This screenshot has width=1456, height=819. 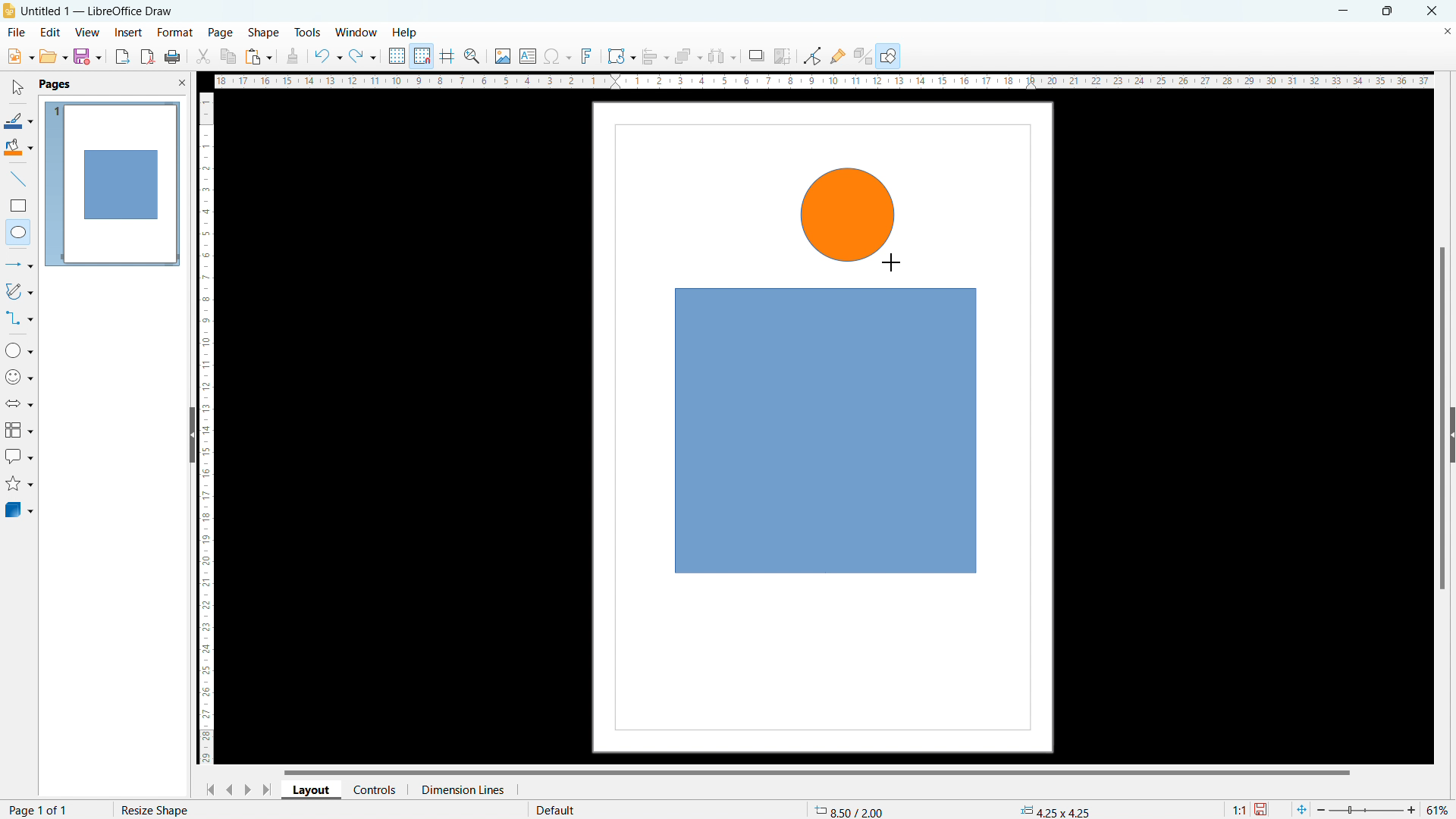 I want to click on line color, so click(x=18, y=121).